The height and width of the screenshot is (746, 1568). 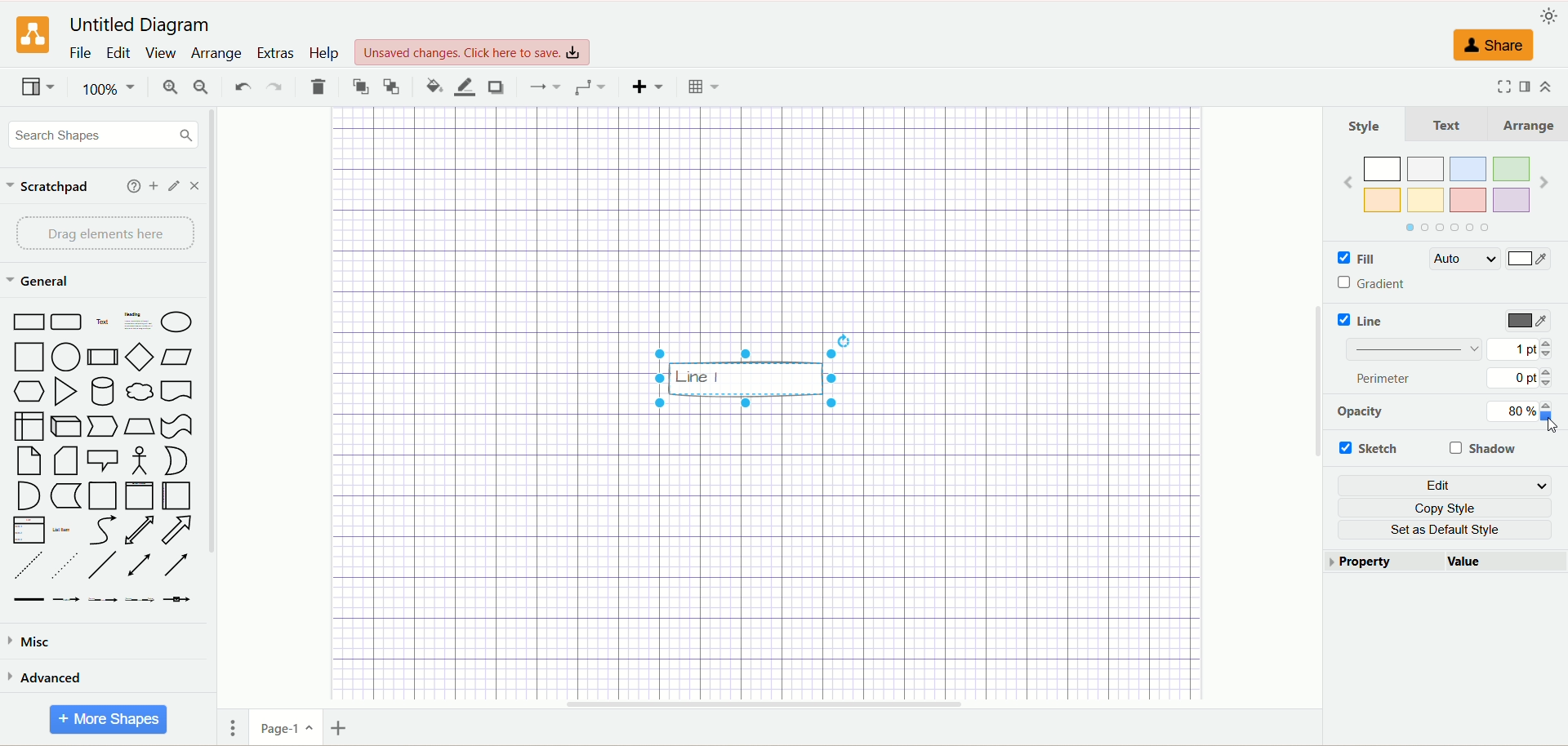 What do you see at coordinates (105, 233) in the screenshot?
I see `drag elements here` at bounding box center [105, 233].